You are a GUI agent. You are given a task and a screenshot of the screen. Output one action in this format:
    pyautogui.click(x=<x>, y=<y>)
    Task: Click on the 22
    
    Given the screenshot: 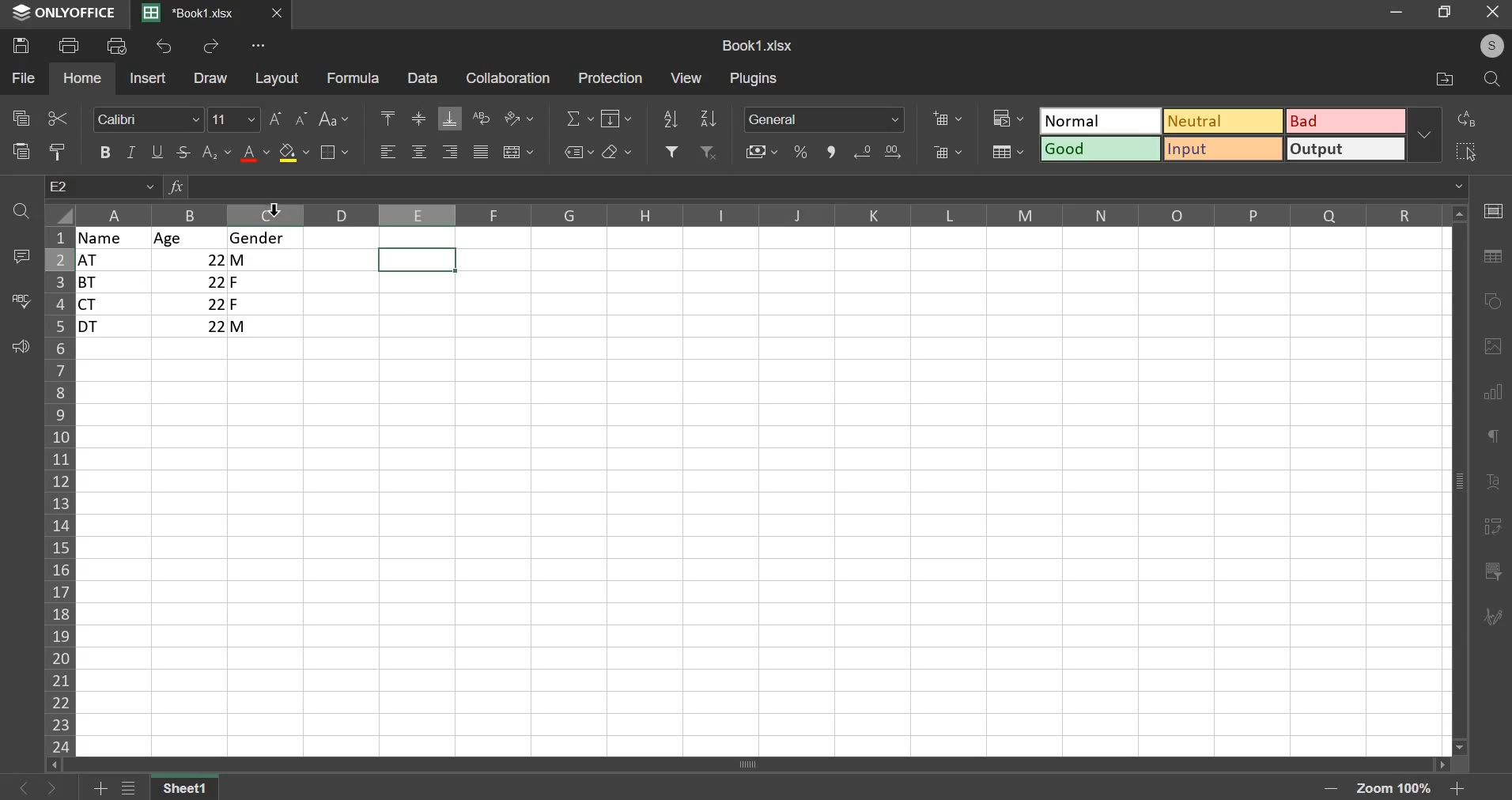 What is the action you would take?
    pyautogui.click(x=191, y=259)
    